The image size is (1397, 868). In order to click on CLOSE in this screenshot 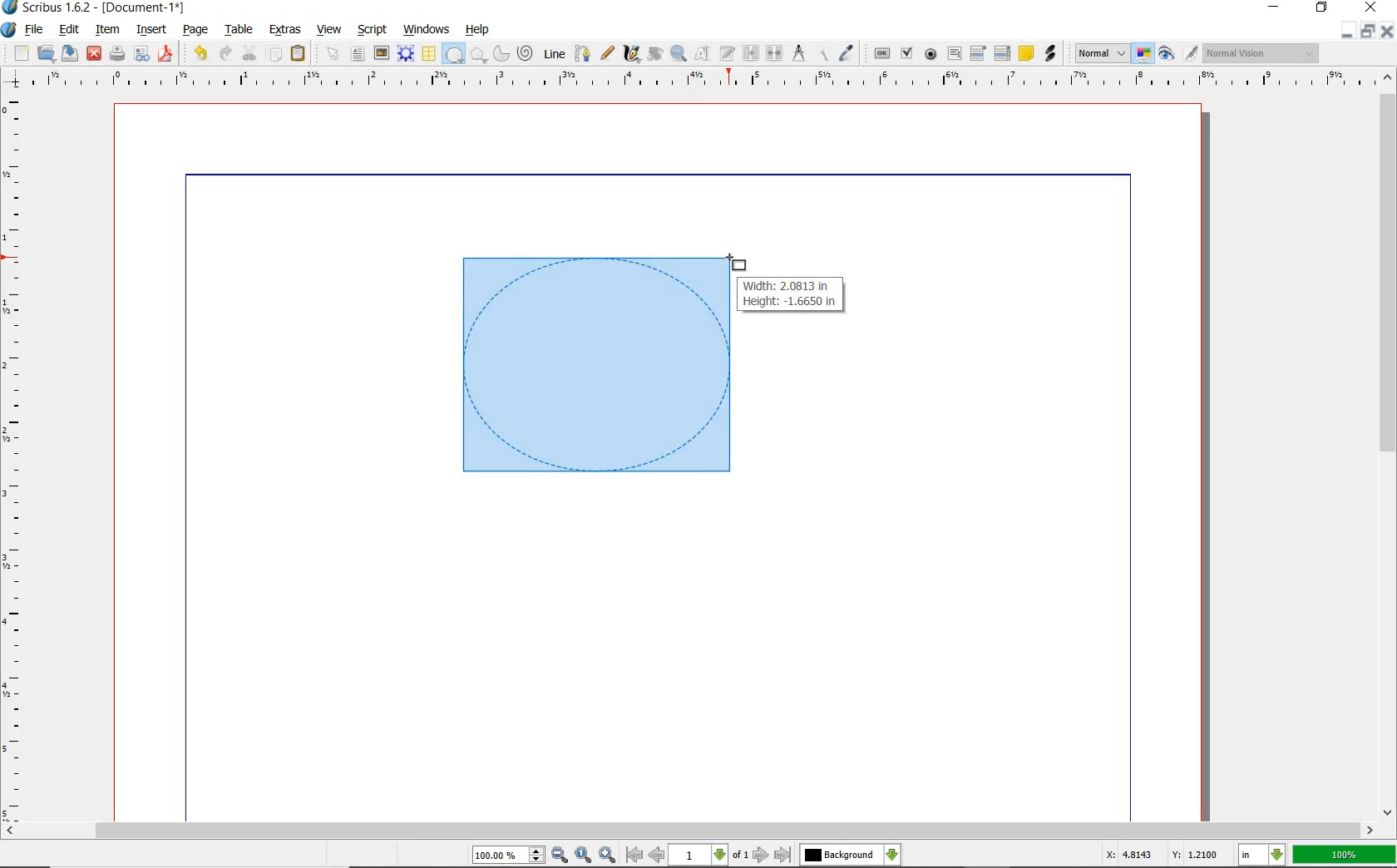, I will do `click(94, 54)`.